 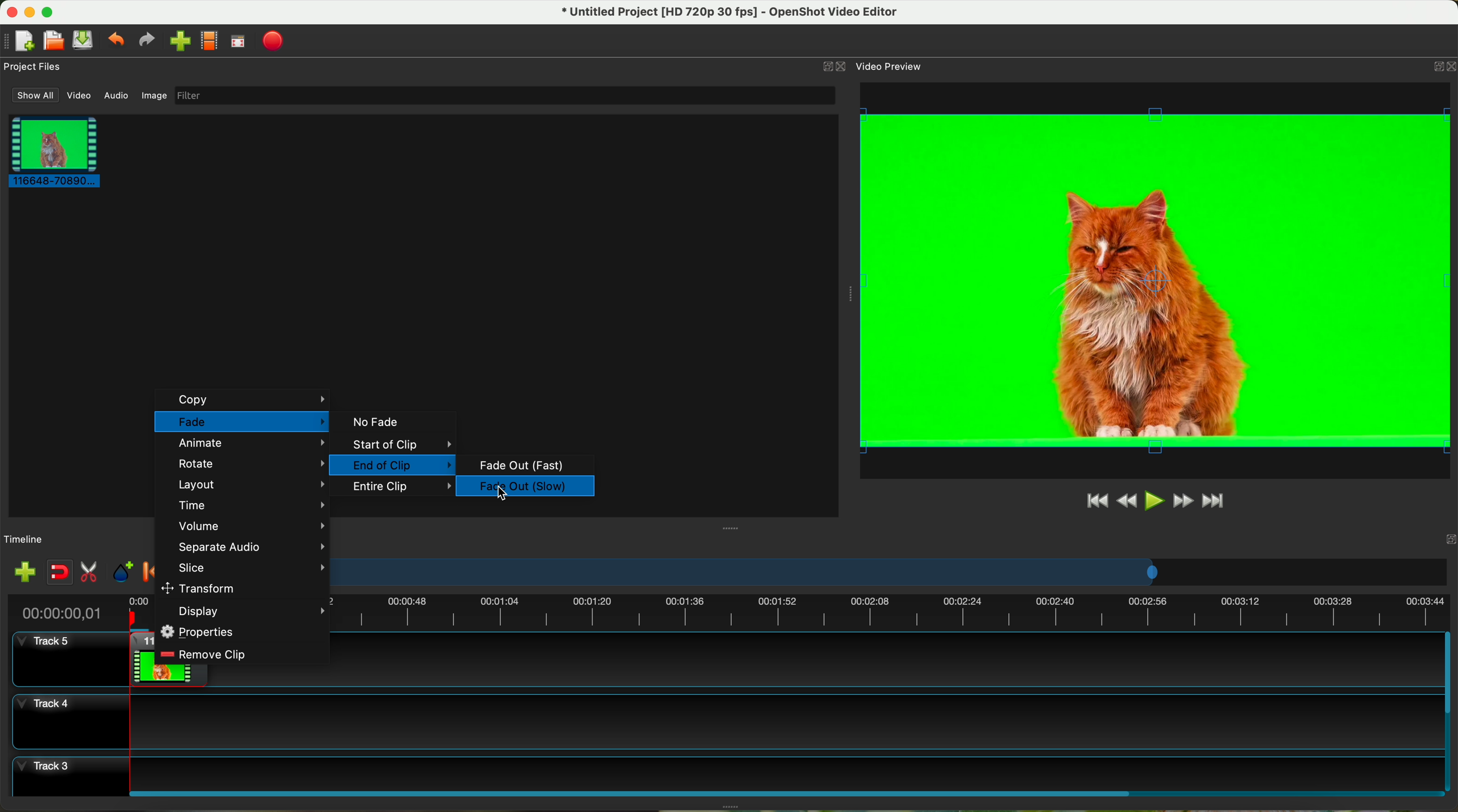 What do you see at coordinates (248, 568) in the screenshot?
I see `slice` at bounding box center [248, 568].